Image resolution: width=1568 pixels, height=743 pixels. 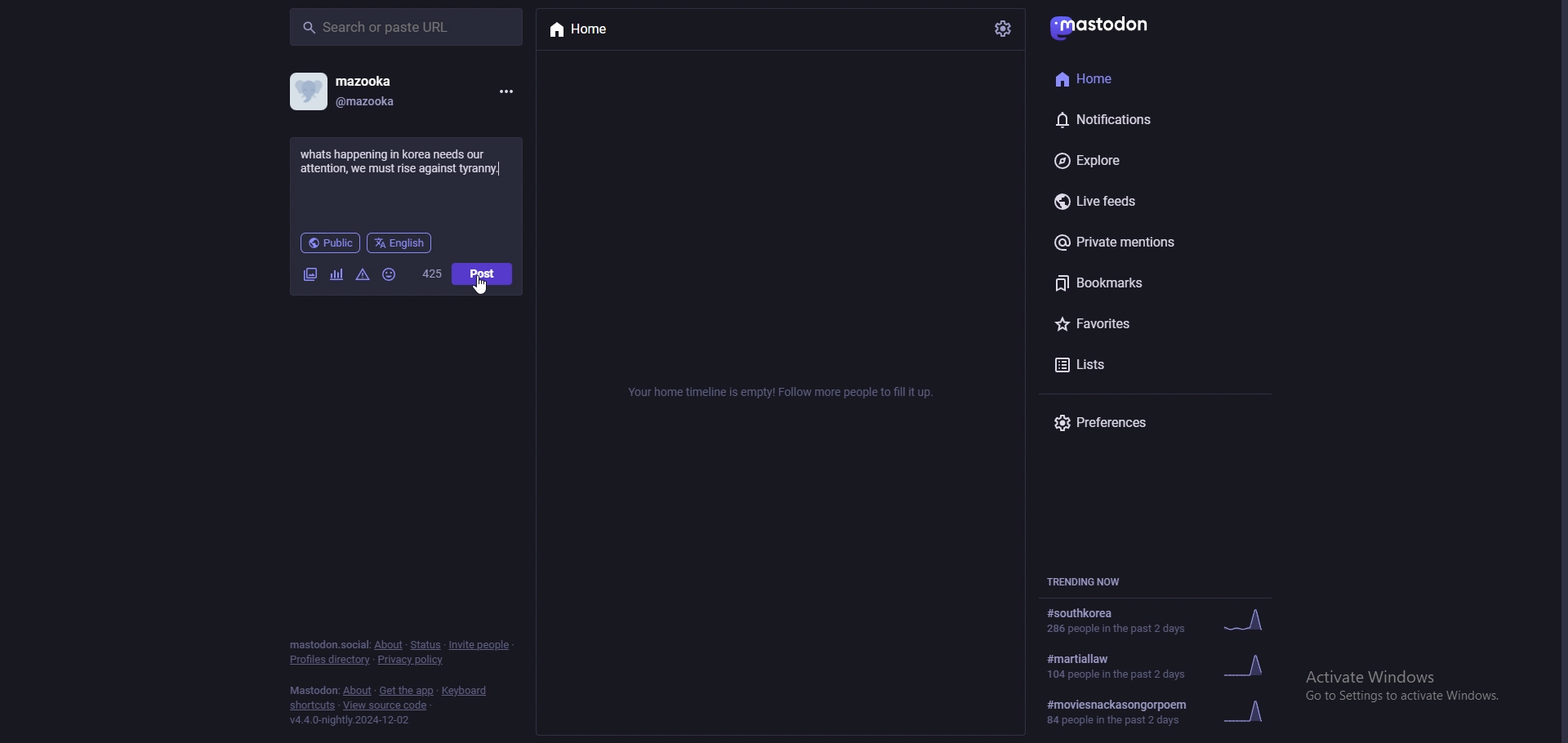 What do you see at coordinates (408, 691) in the screenshot?
I see `get the app` at bounding box center [408, 691].